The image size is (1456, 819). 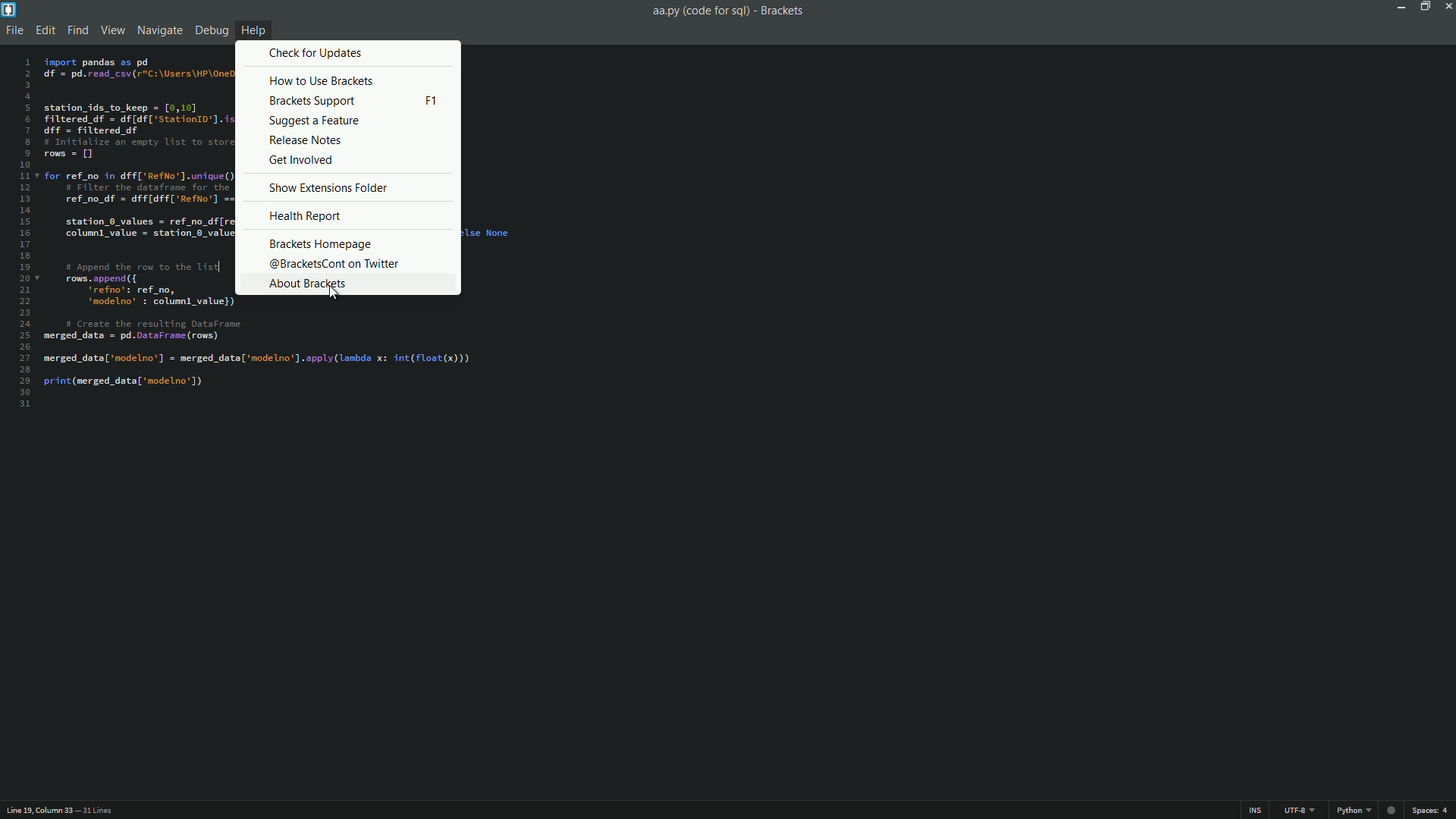 What do you see at coordinates (23, 234) in the screenshot?
I see `line numbers` at bounding box center [23, 234].